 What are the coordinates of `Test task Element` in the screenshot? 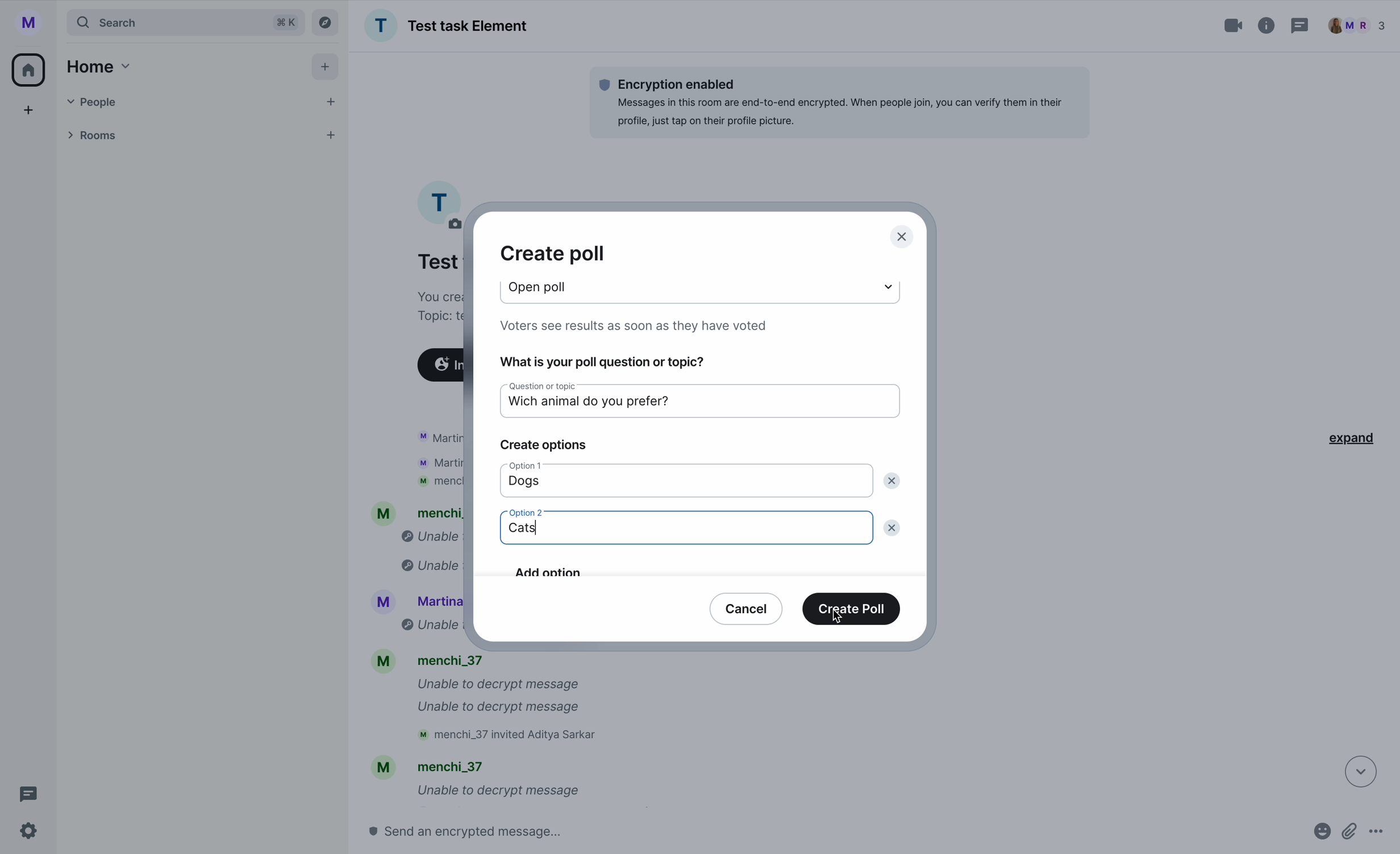 It's located at (446, 26).